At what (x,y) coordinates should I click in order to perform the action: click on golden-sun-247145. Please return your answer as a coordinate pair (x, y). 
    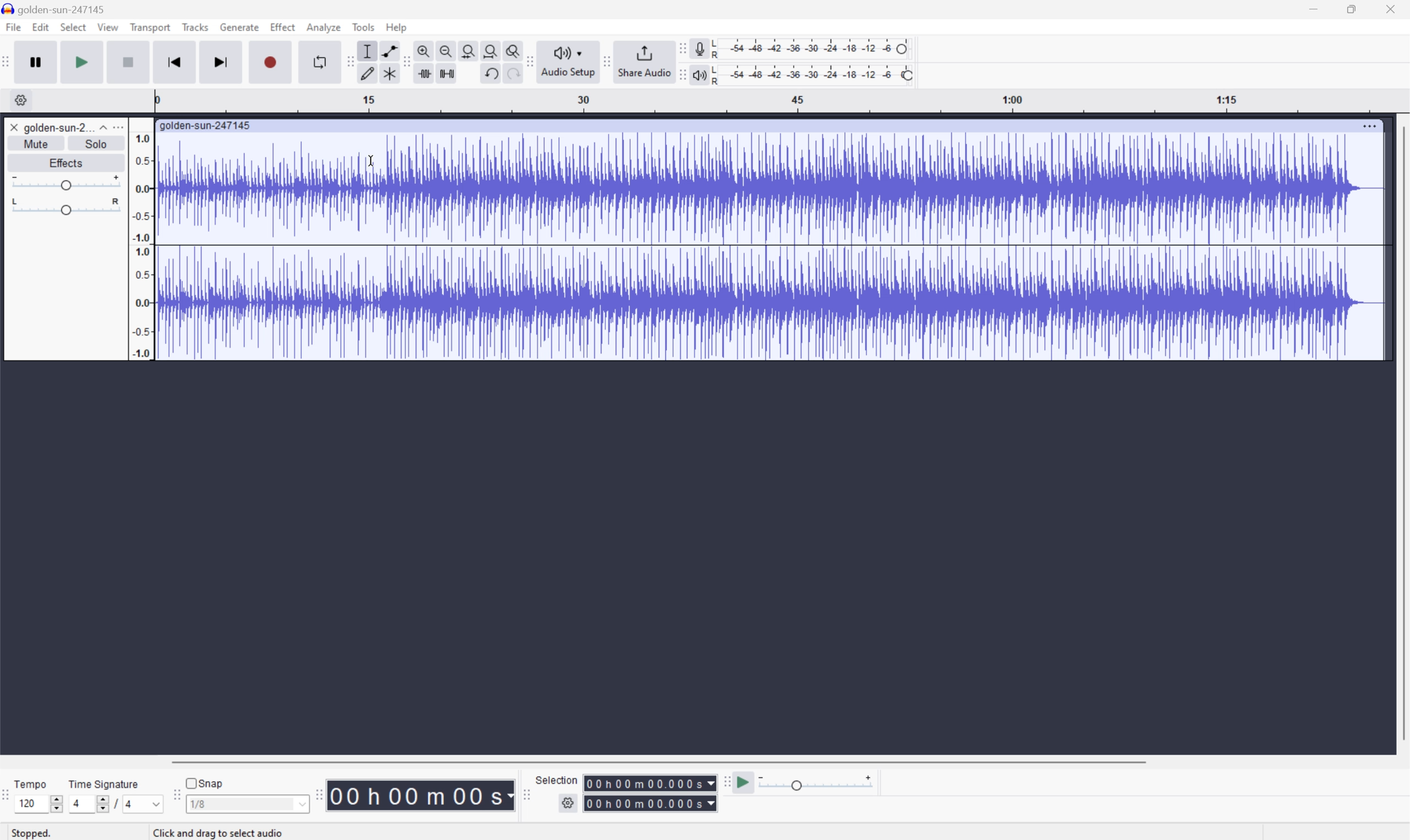
    Looking at the image, I should click on (206, 125).